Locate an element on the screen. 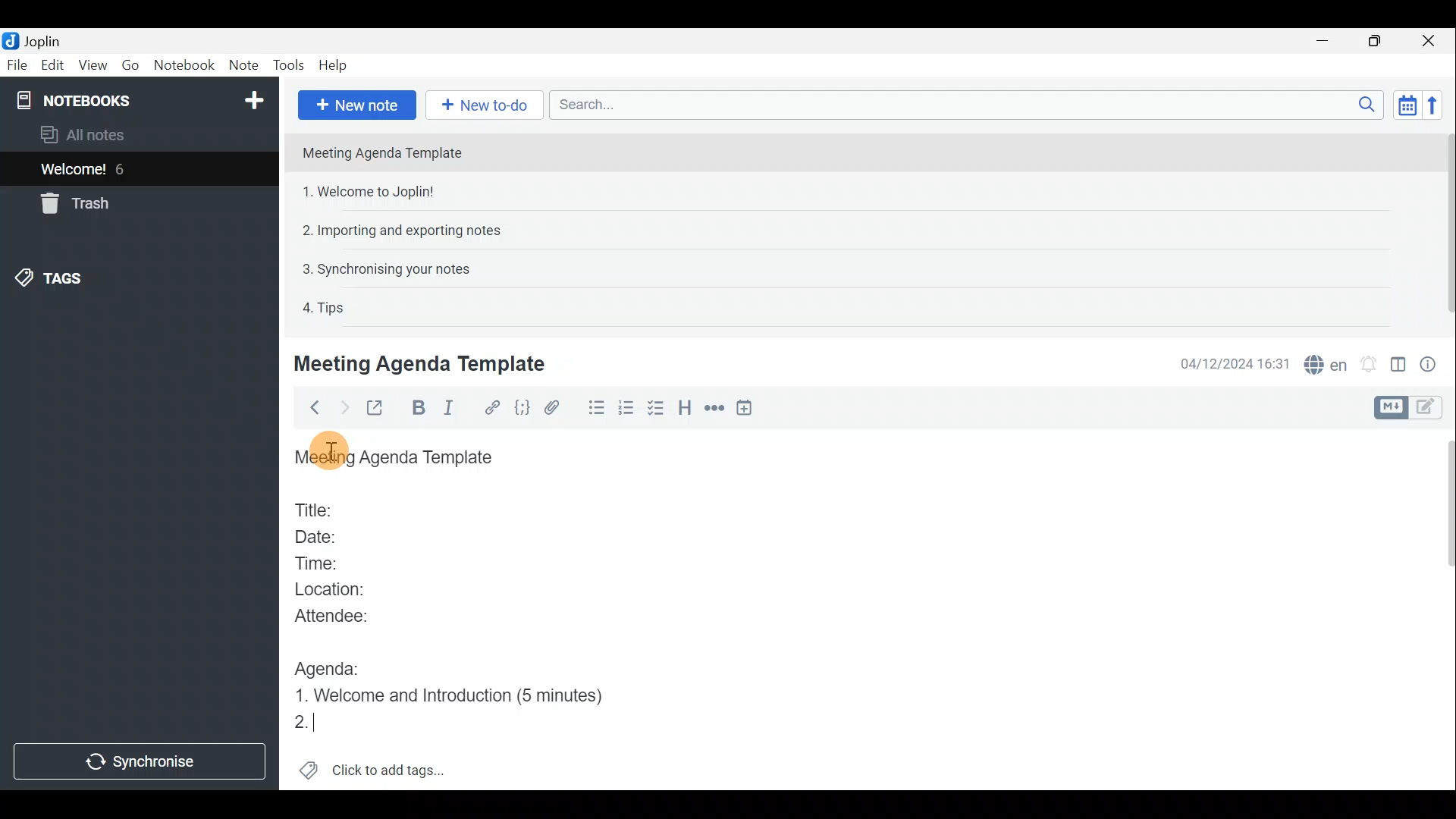 This screenshot has width=1456, height=819. Date: is located at coordinates (328, 535).